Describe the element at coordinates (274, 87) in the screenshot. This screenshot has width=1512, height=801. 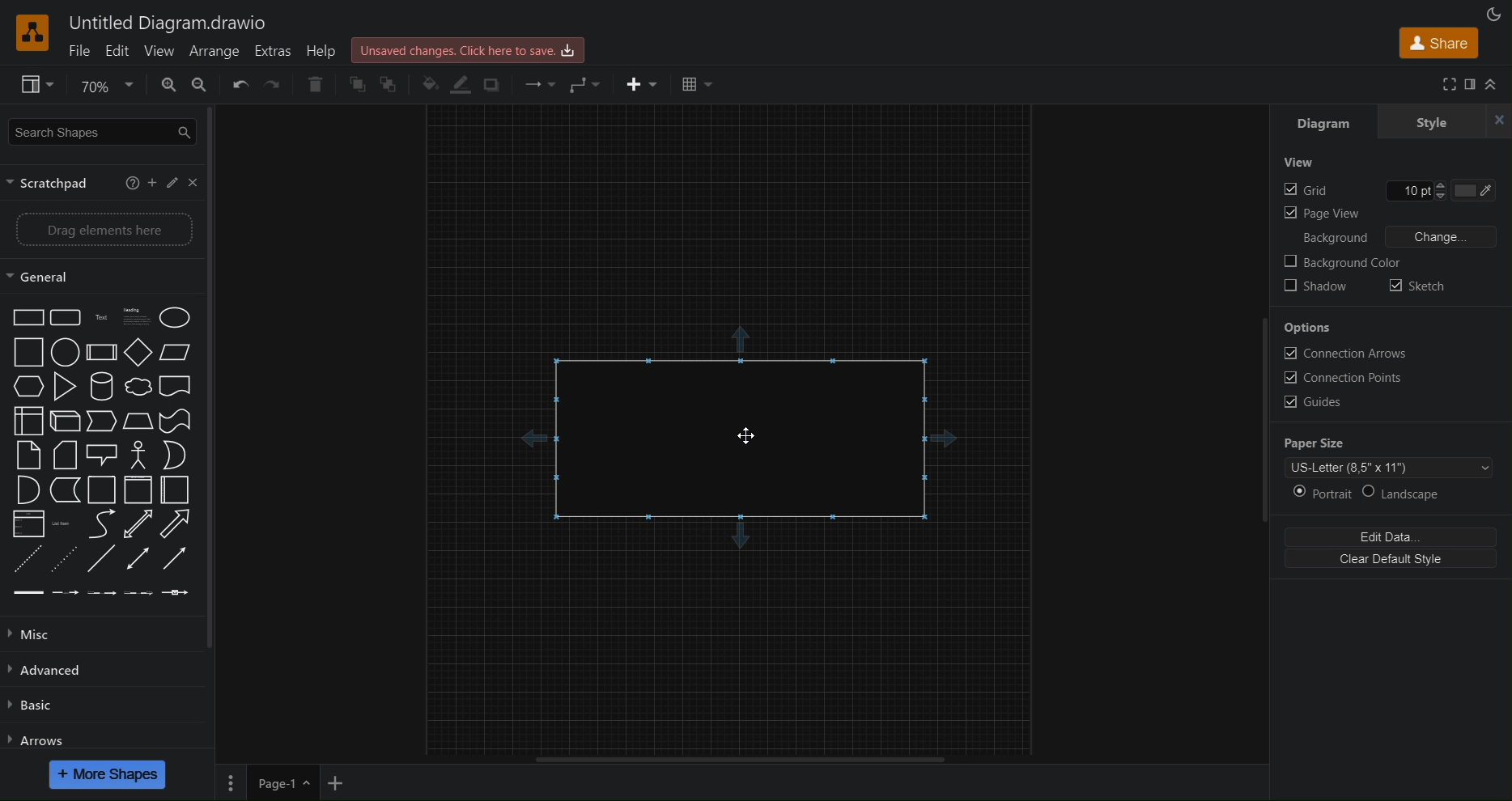
I see `Redo` at that location.